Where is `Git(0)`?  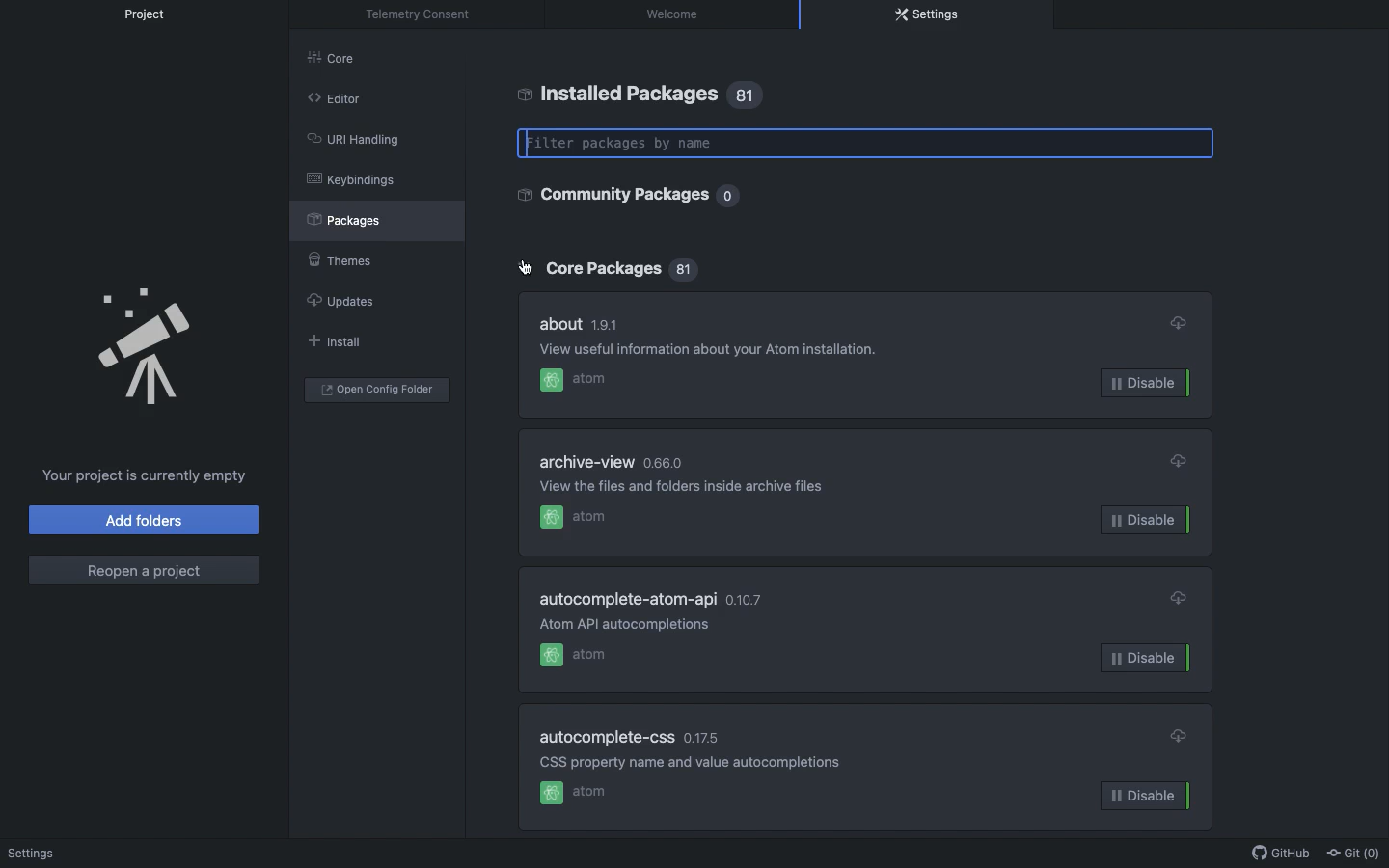 Git(0) is located at coordinates (1350, 852).